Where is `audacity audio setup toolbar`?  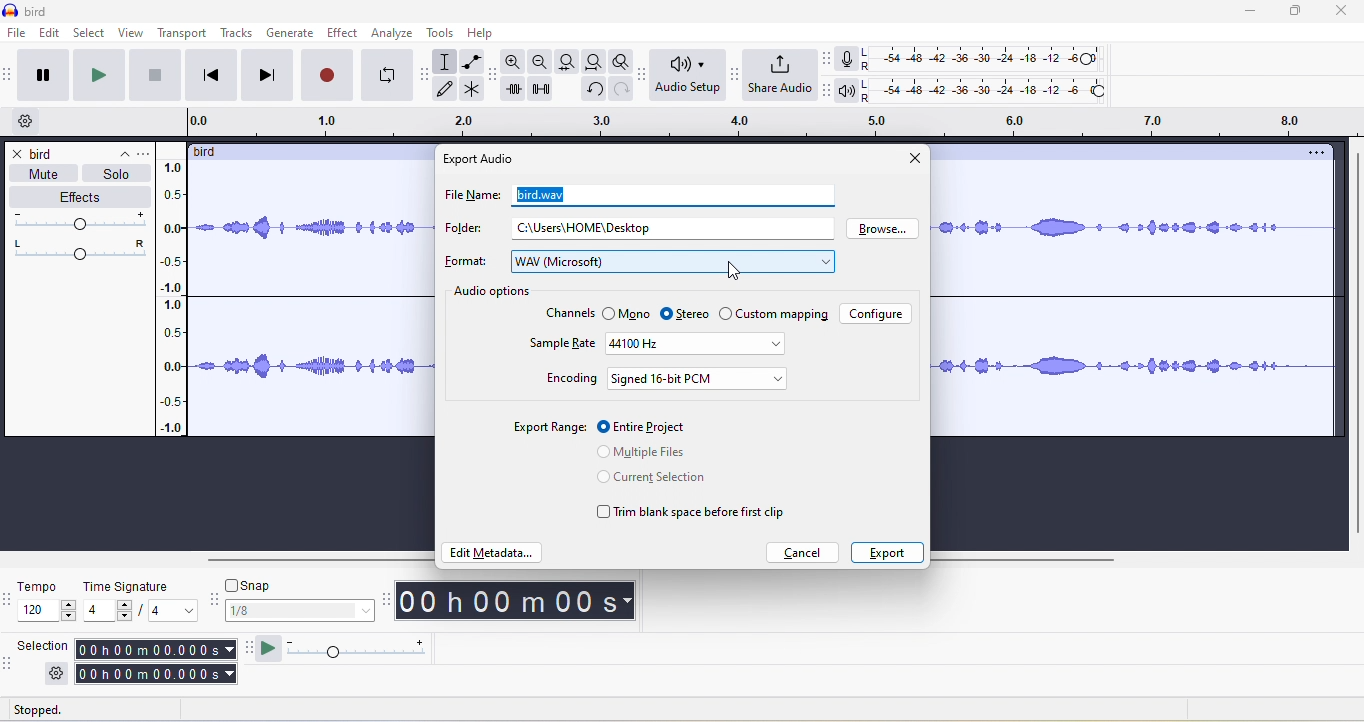 audacity audio setup toolbar is located at coordinates (640, 75).